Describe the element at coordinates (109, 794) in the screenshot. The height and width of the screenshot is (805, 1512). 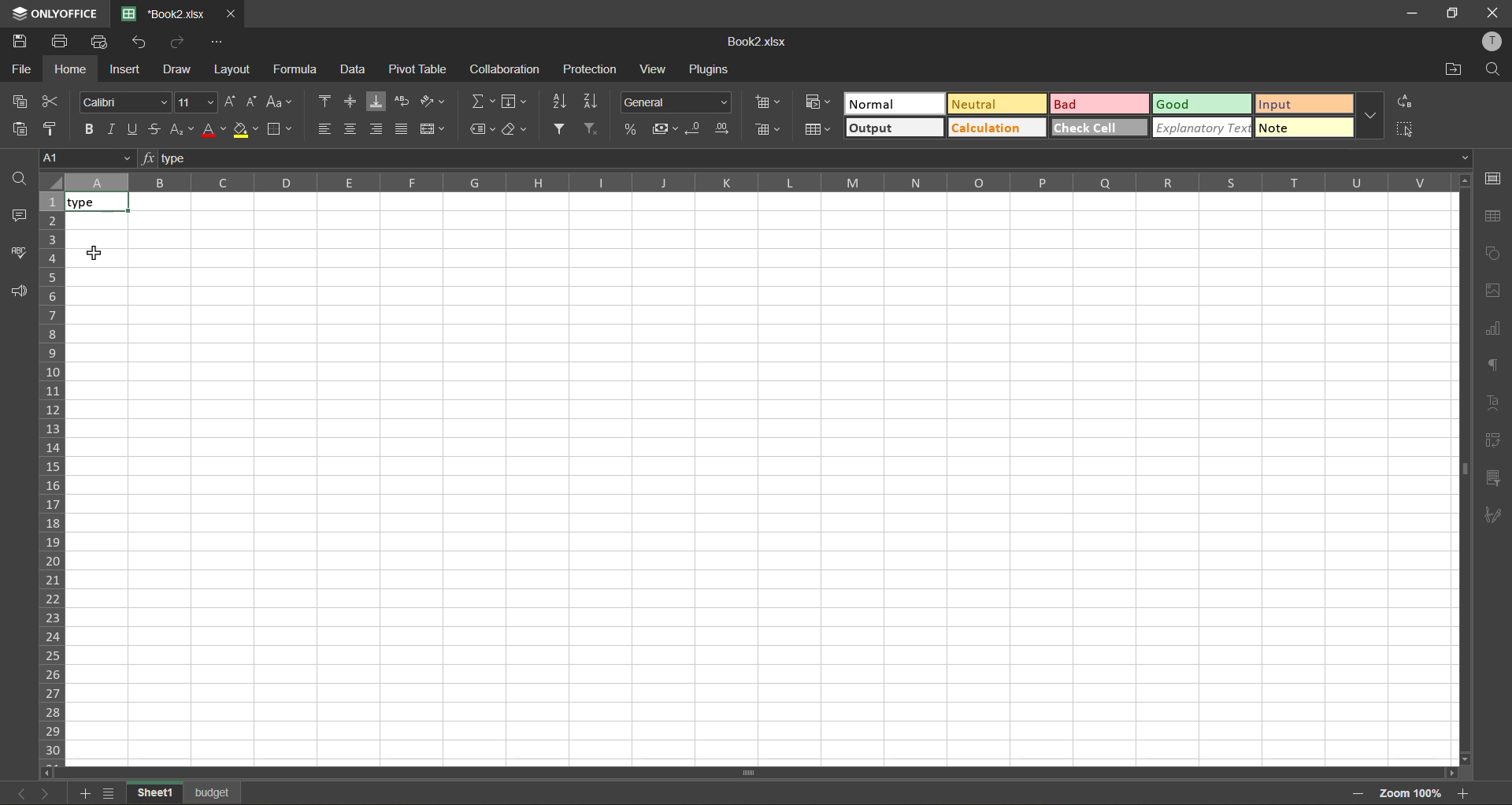
I see `sheet list` at that location.